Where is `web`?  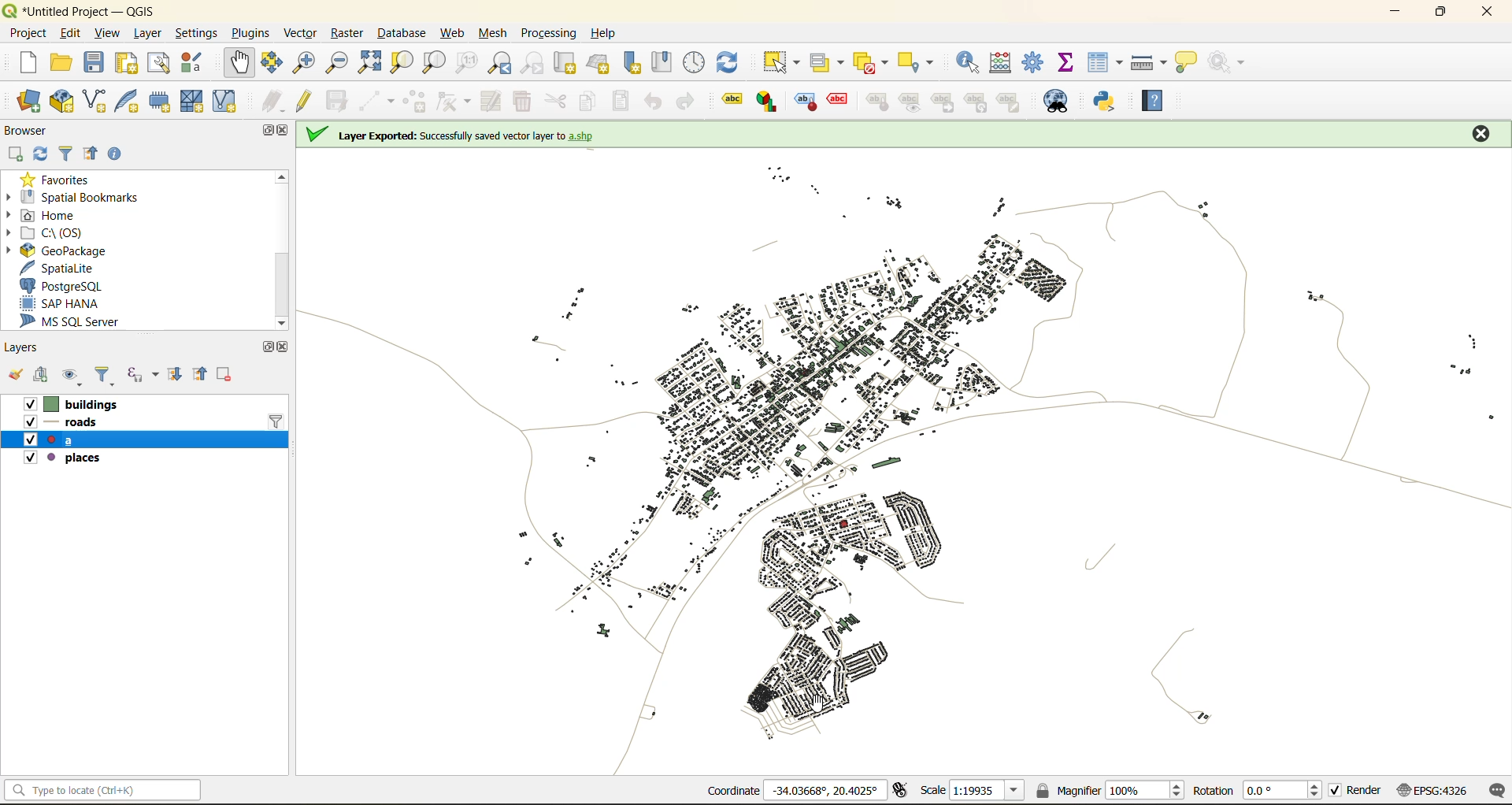
web is located at coordinates (450, 33).